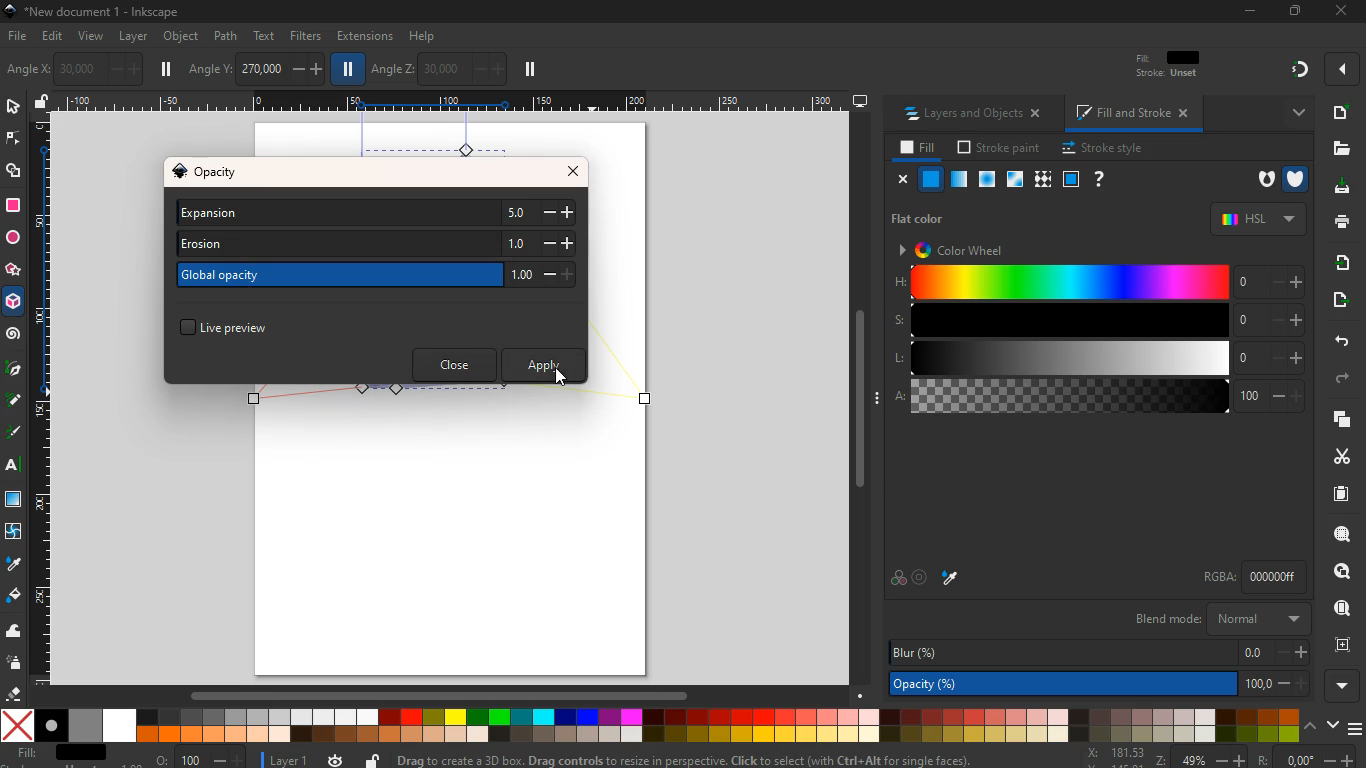 The height and width of the screenshot is (768, 1366). What do you see at coordinates (13, 370) in the screenshot?
I see `pic` at bounding box center [13, 370].